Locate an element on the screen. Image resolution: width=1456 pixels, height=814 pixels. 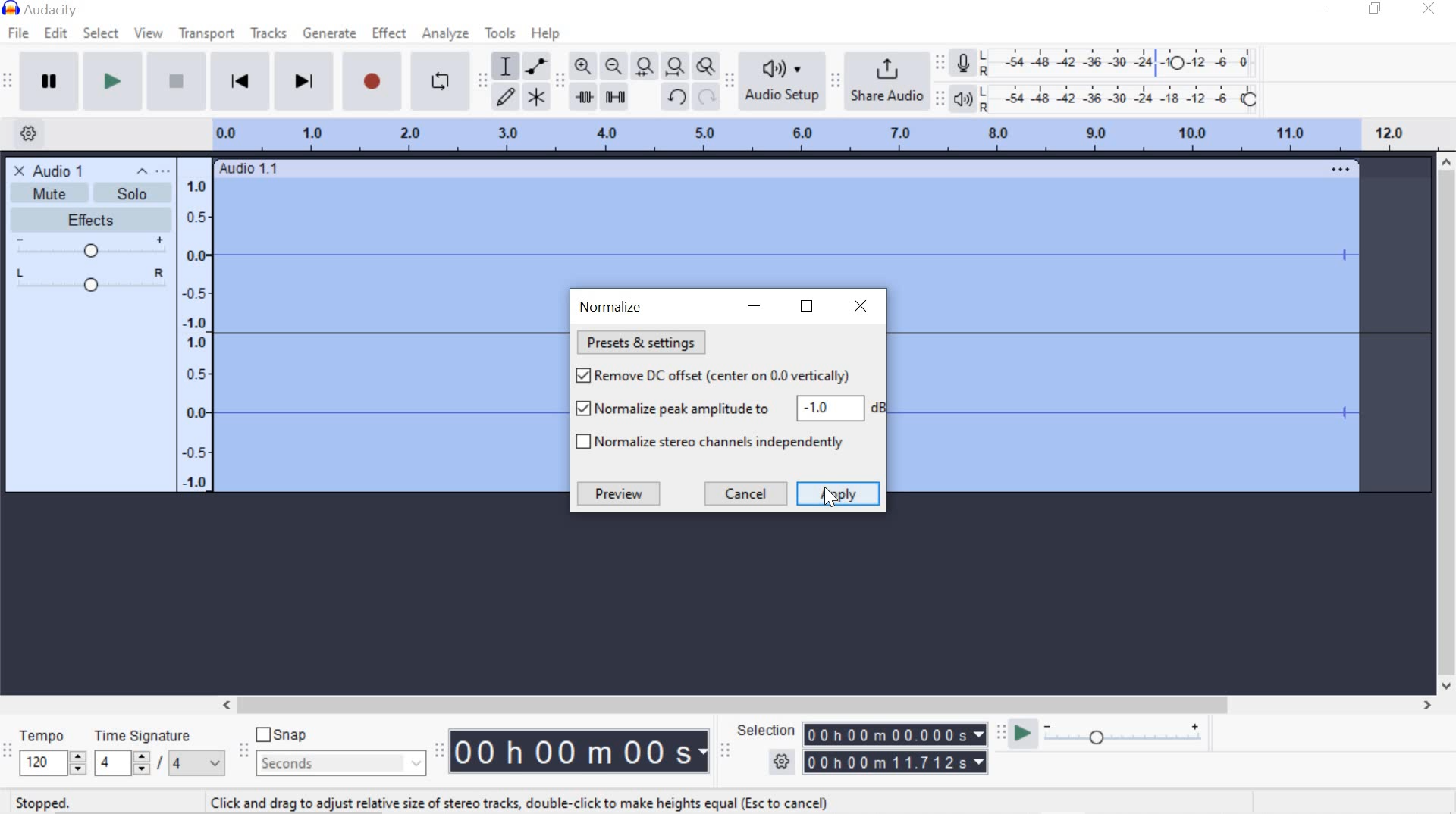
close is located at coordinates (861, 305).